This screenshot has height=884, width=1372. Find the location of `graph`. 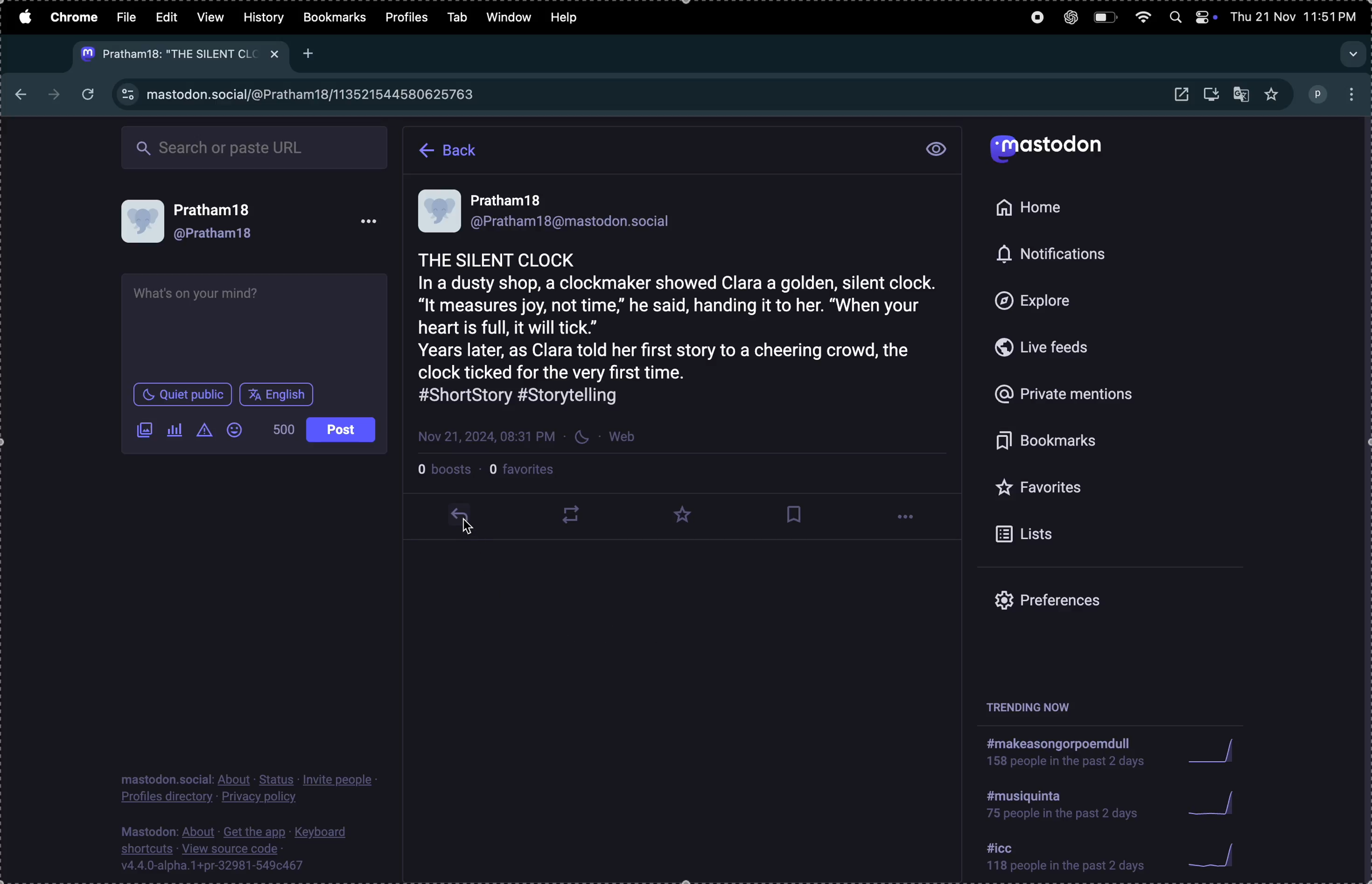

graph is located at coordinates (1217, 802).